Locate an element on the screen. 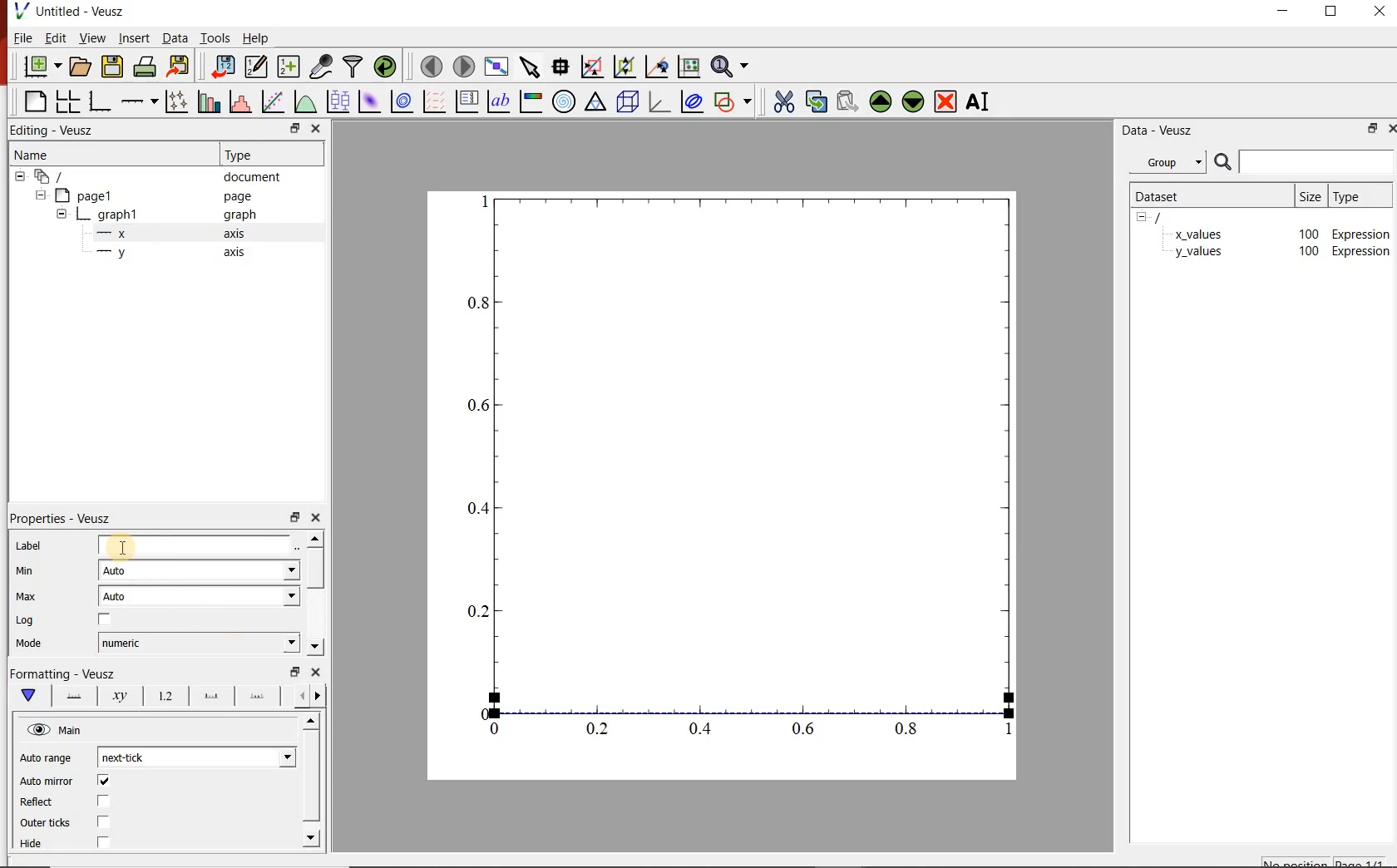 The width and height of the screenshot is (1397, 868). text label is located at coordinates (496, 101).